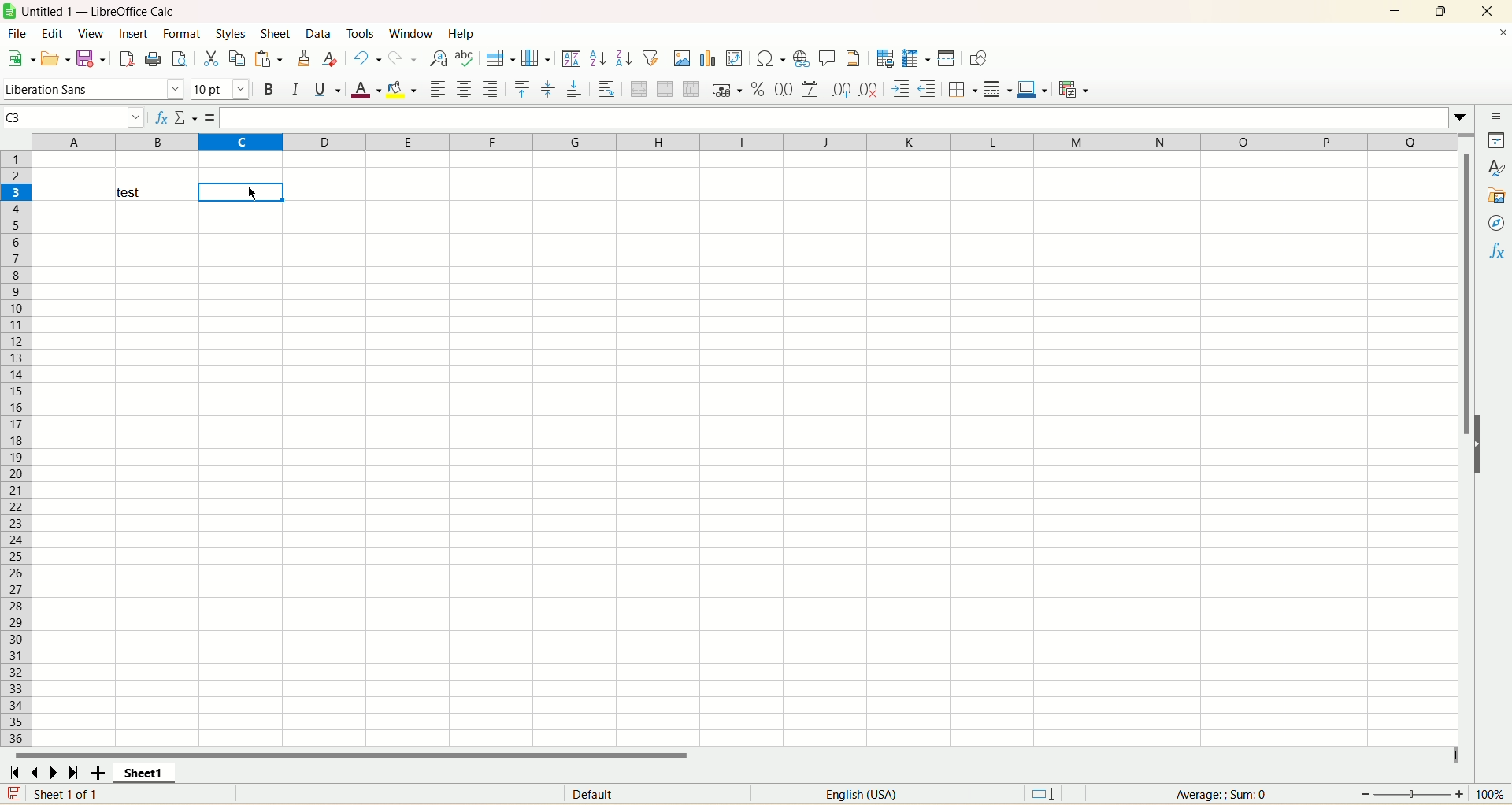 The image size is (1512, 805). Describe the element at coordinates (365, 89) in the screenshot. I see `font color` at that location.